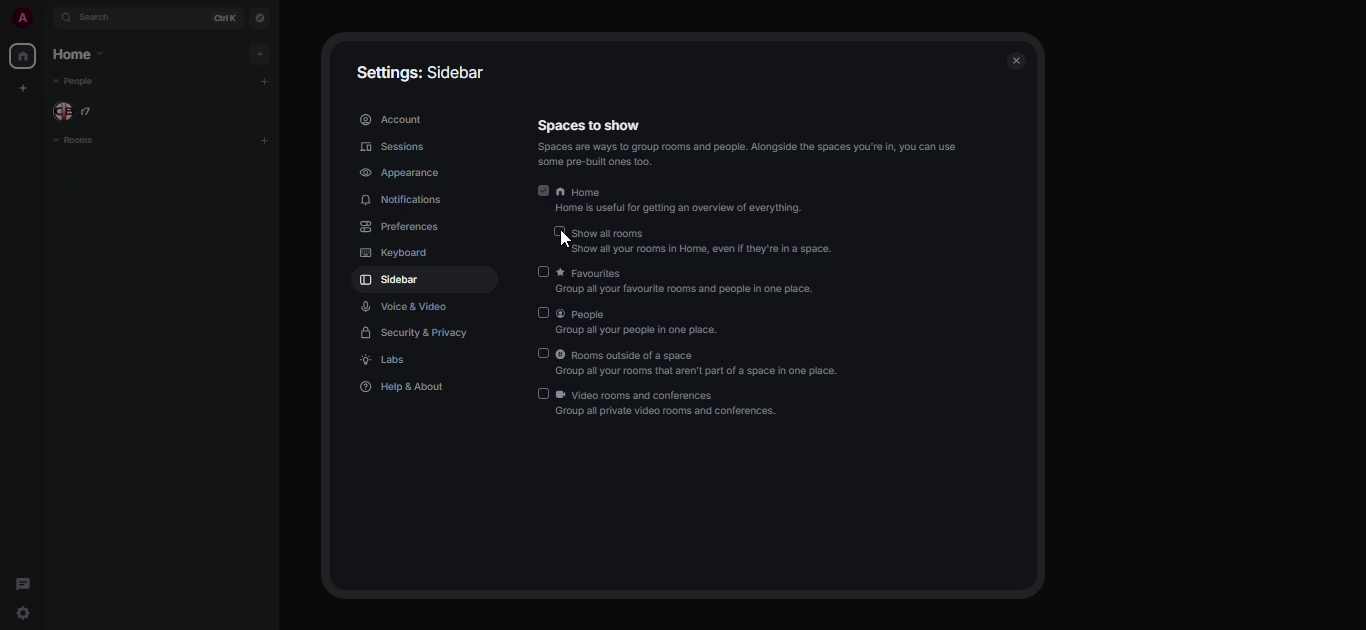 Image resolution: width=1366 pixels, height=630 pixels. What do you see at coordinates (543, 353) in the screenshot?
I see `disabled` at bounding box center [543, 353].